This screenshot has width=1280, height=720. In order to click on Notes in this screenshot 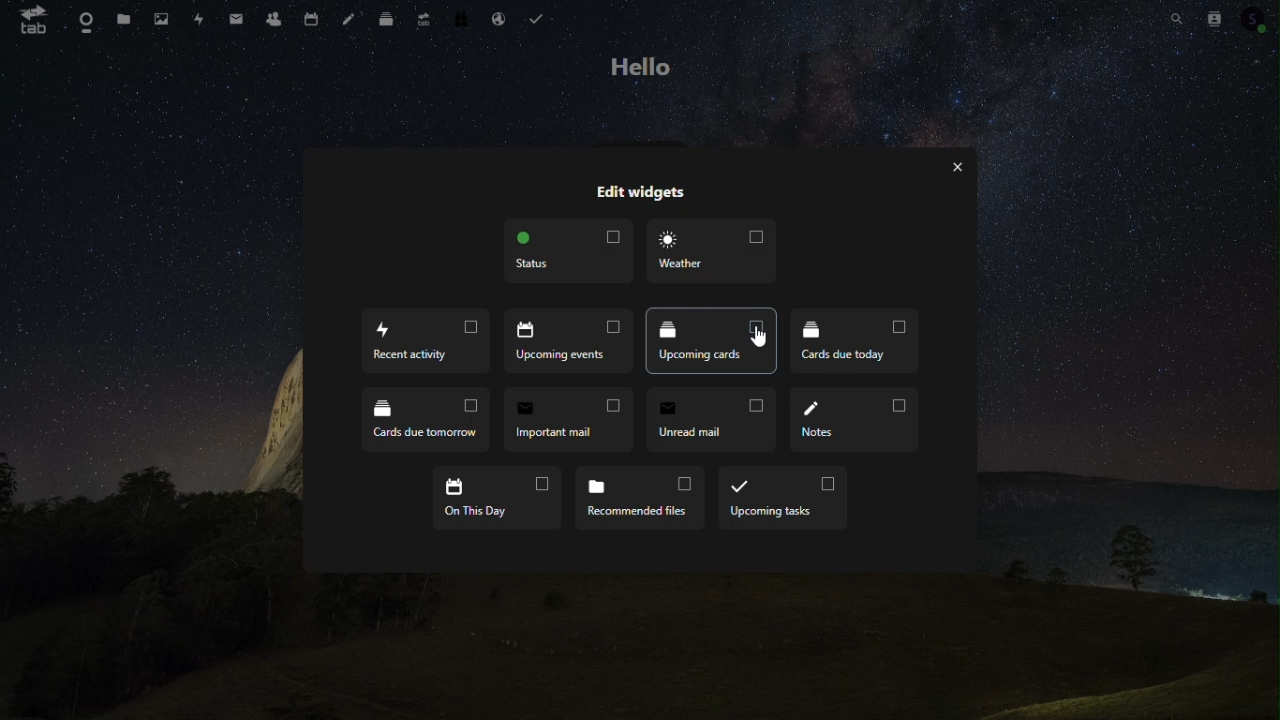, I will do `click(856, 421)`.